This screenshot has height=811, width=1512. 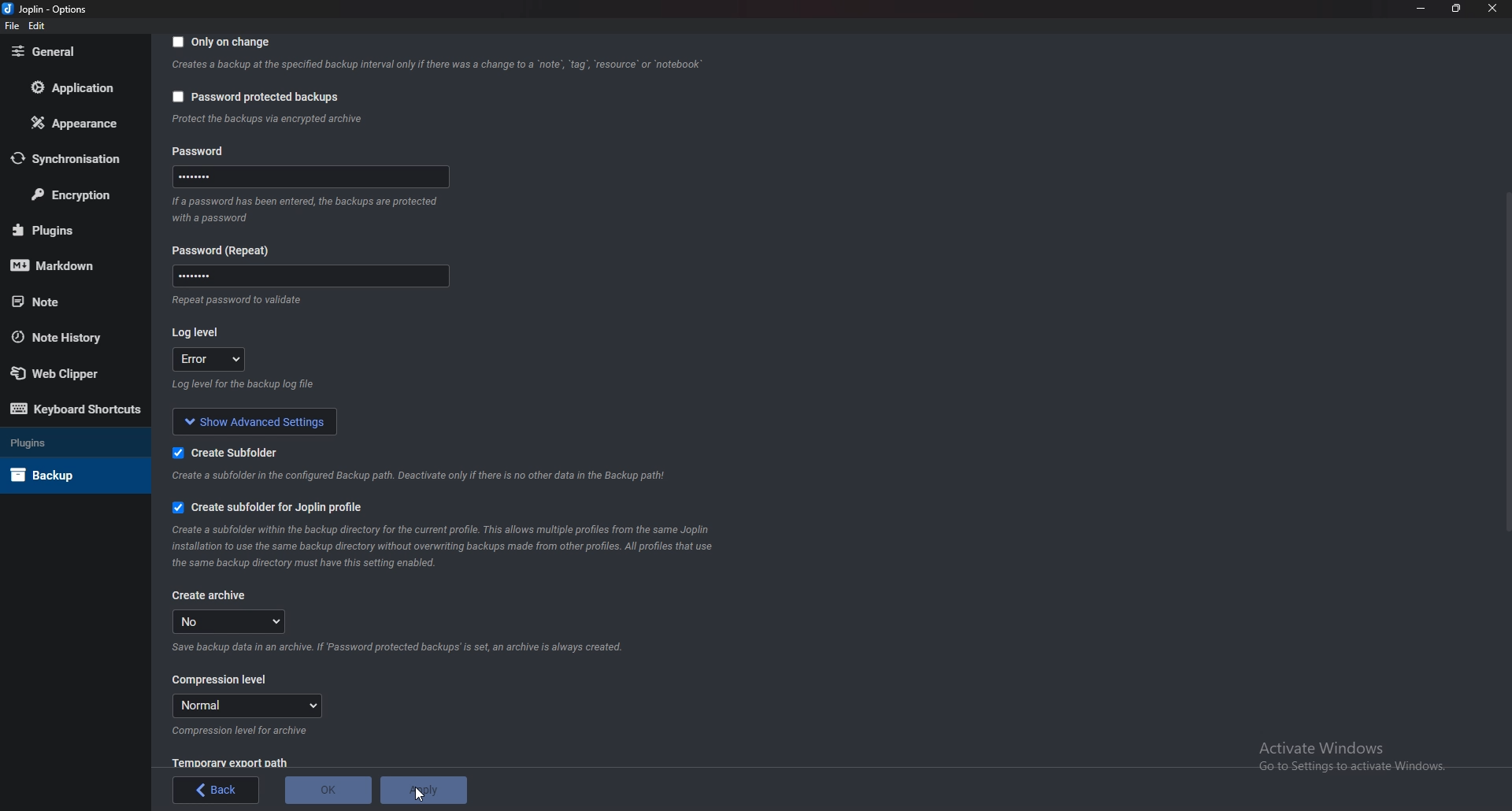 What do you see at coordinates (436, 67) in the screenshot?
I see `Info` at bounding box center [436, 67].